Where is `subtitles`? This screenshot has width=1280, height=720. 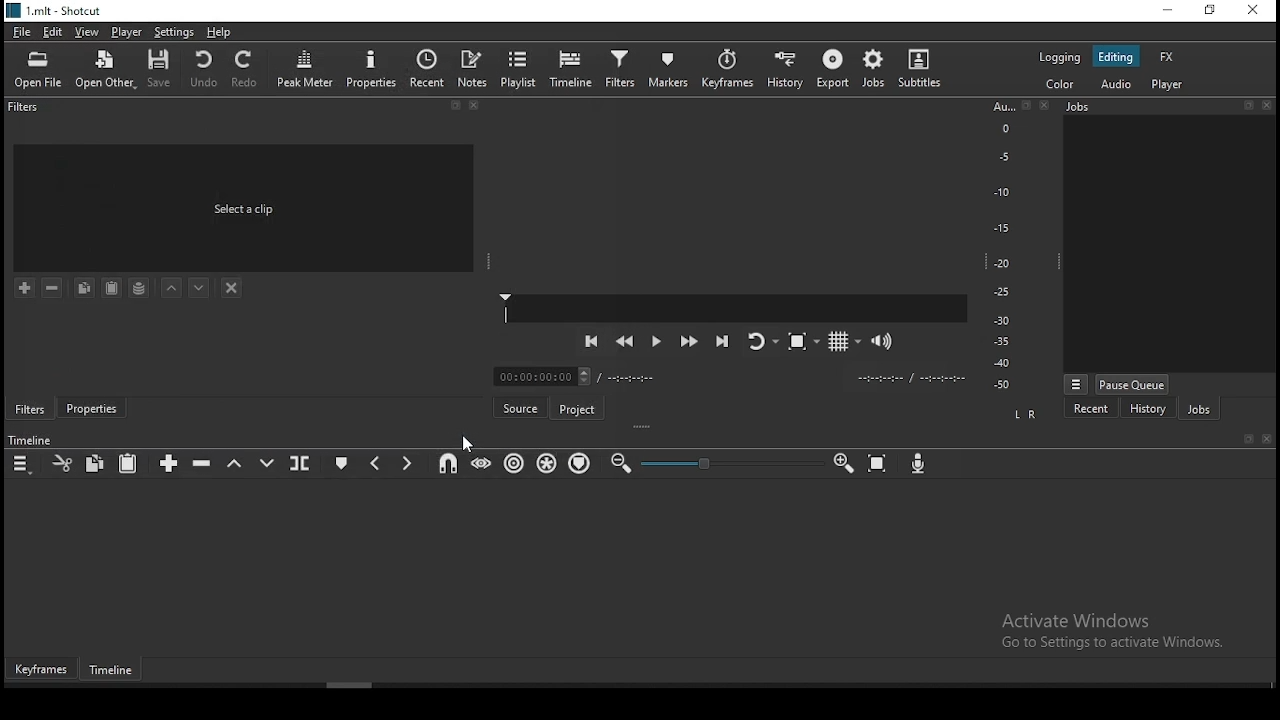
subtitles is located at coordinates (924, 68).